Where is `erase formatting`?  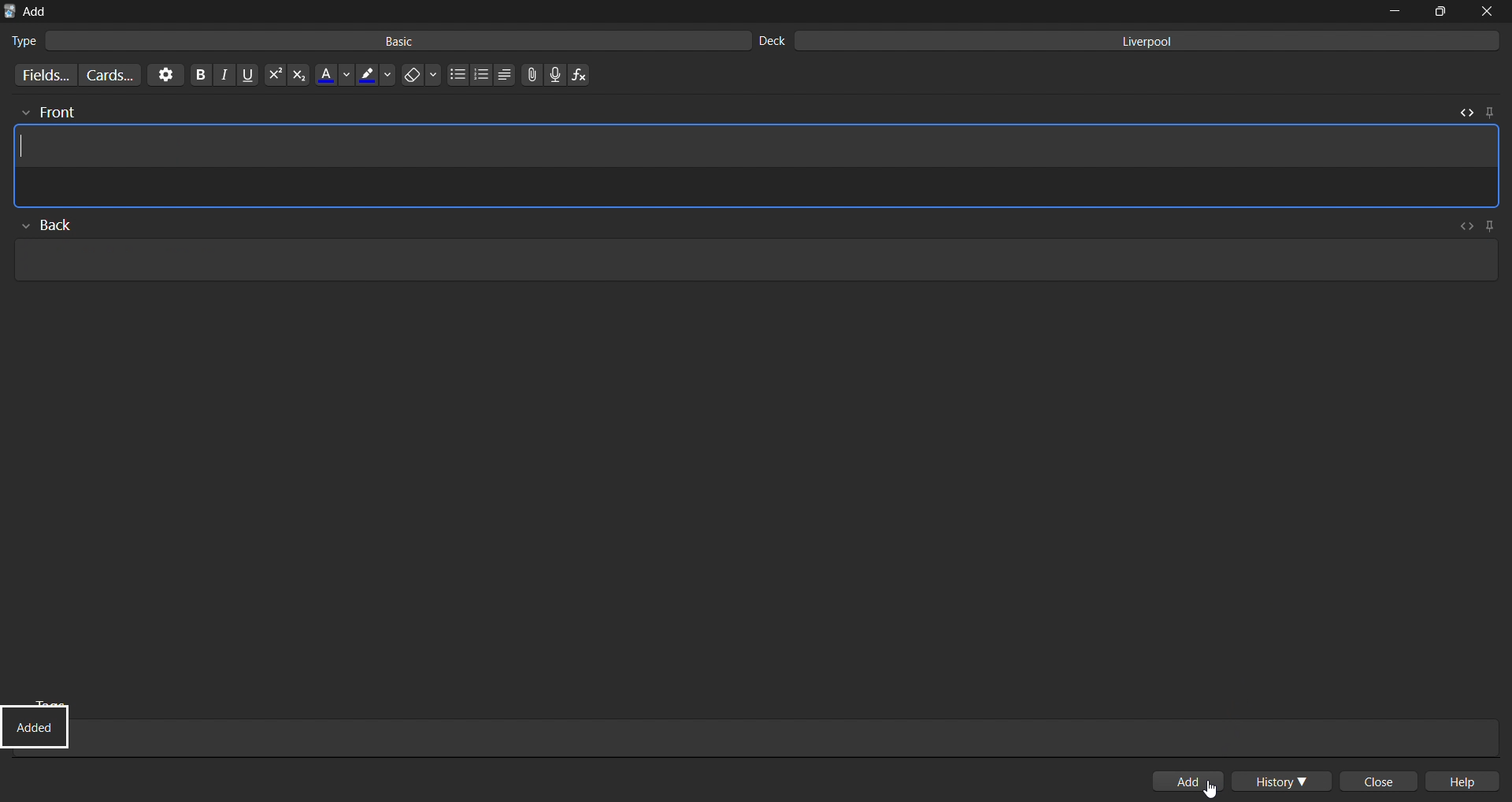
erase formatting is located at coordinates (424, 75).